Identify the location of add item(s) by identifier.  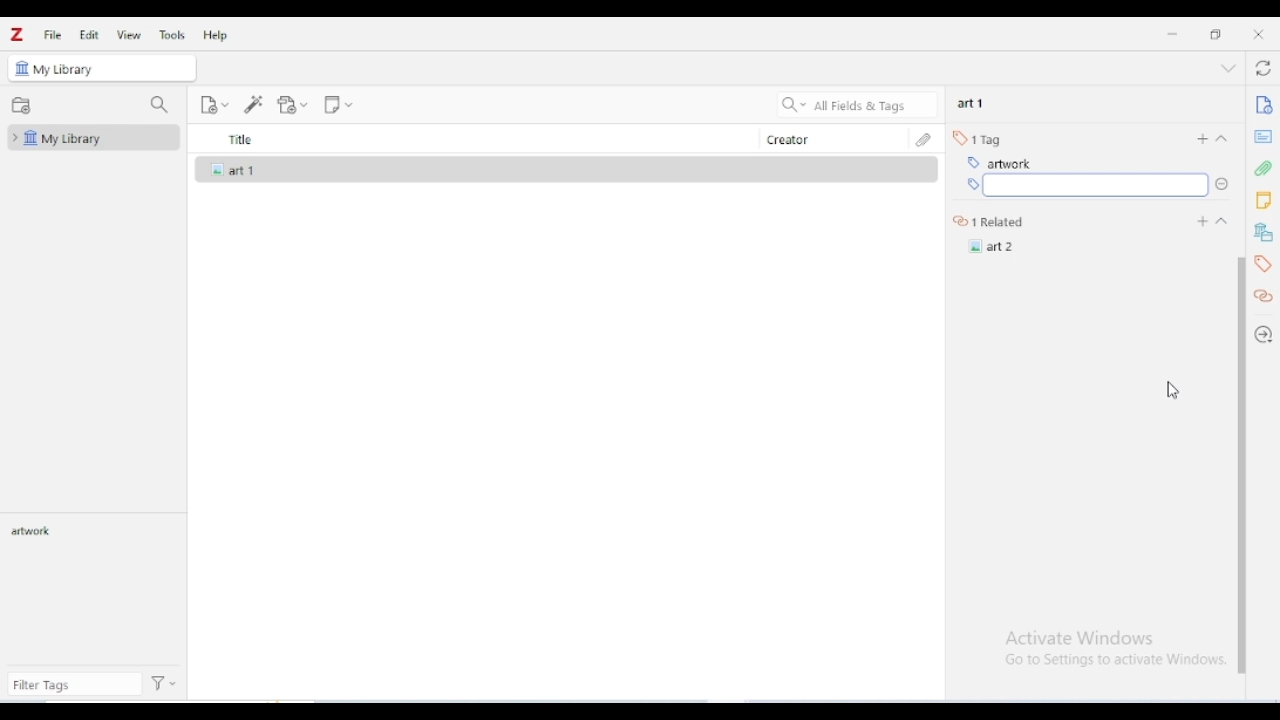
(255, 104).